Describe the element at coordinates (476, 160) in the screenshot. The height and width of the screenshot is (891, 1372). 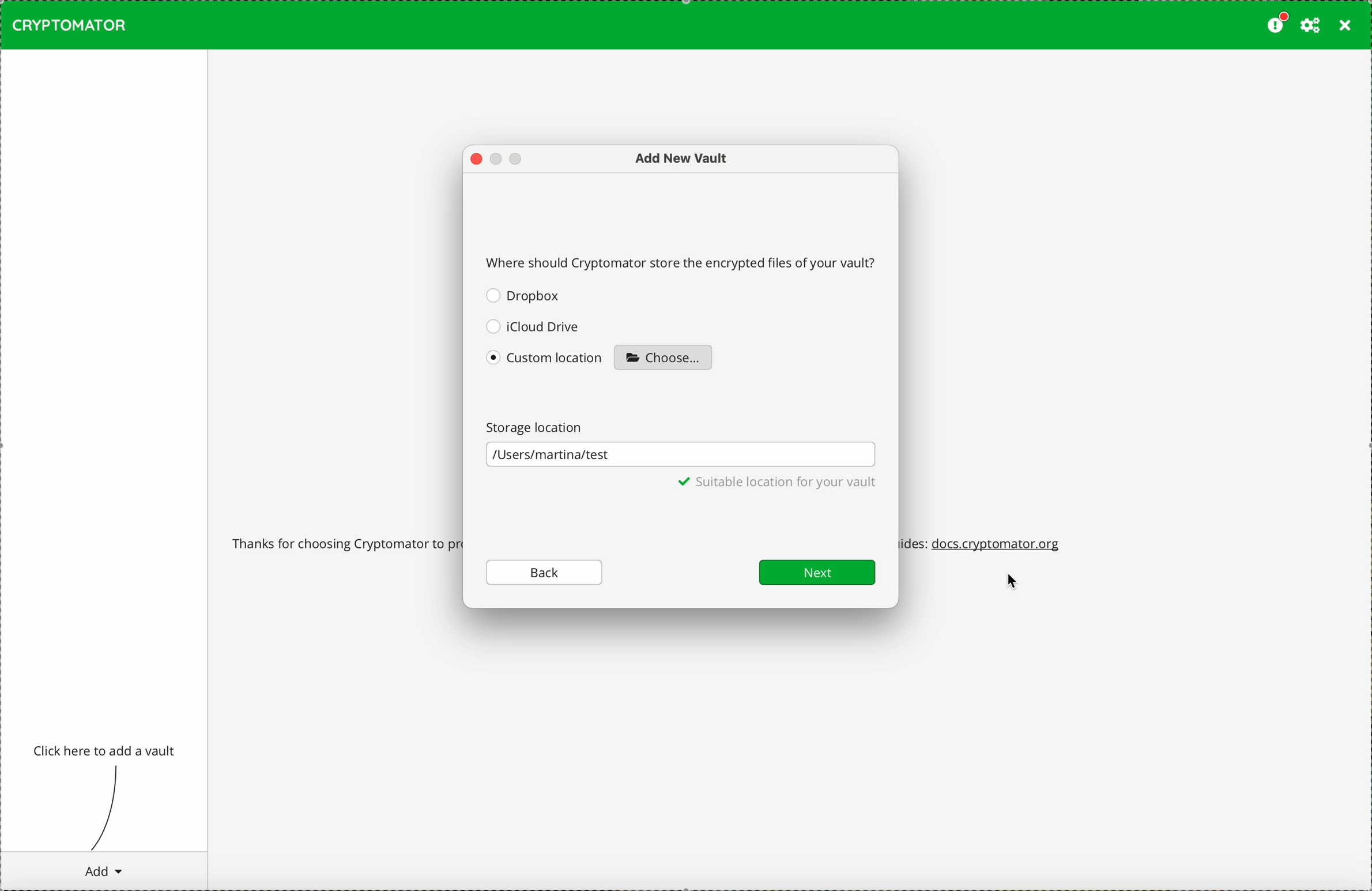
I see `close` at that location.